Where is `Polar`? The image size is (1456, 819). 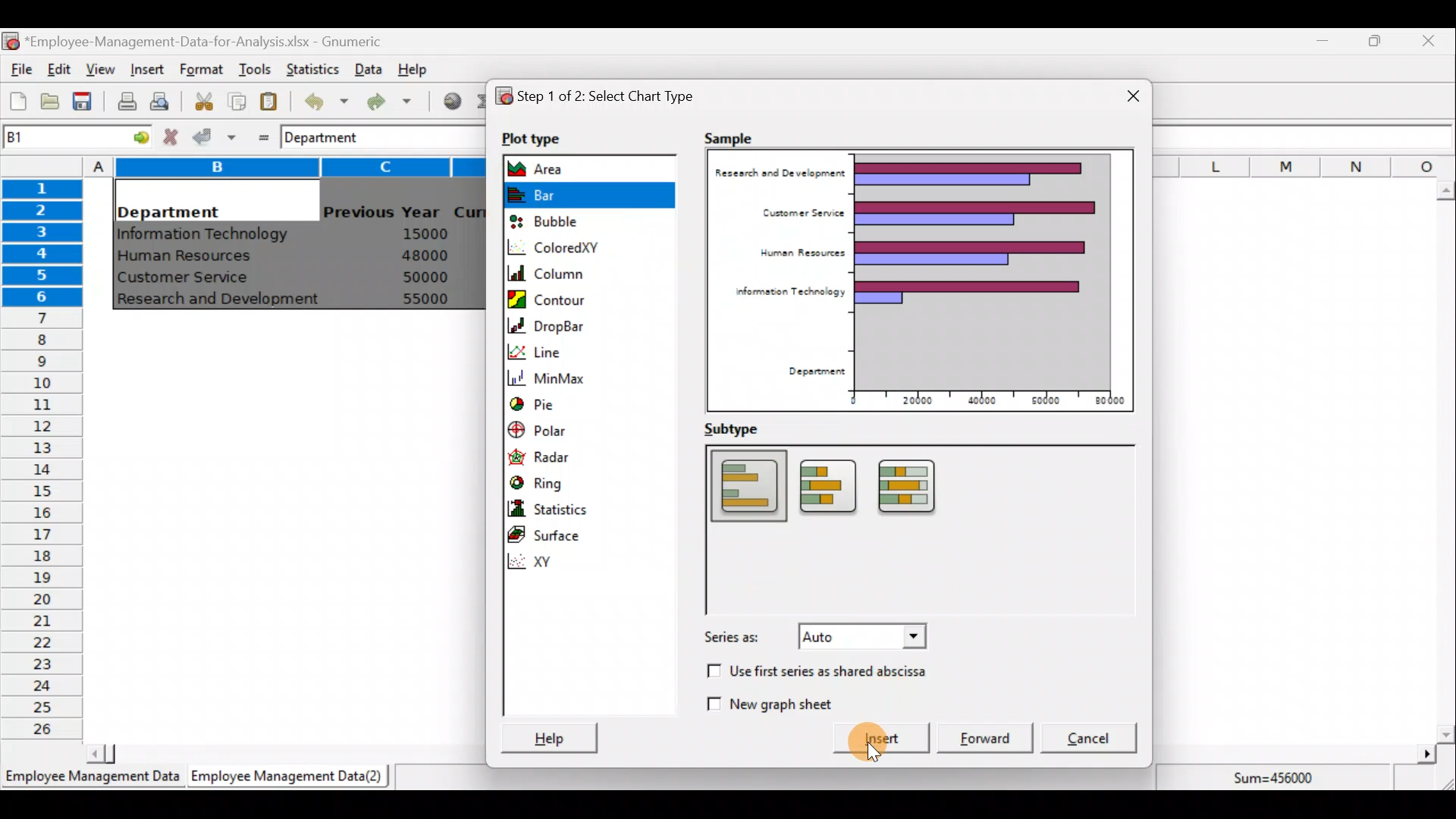
Polar is located at coordinates (571, 433).